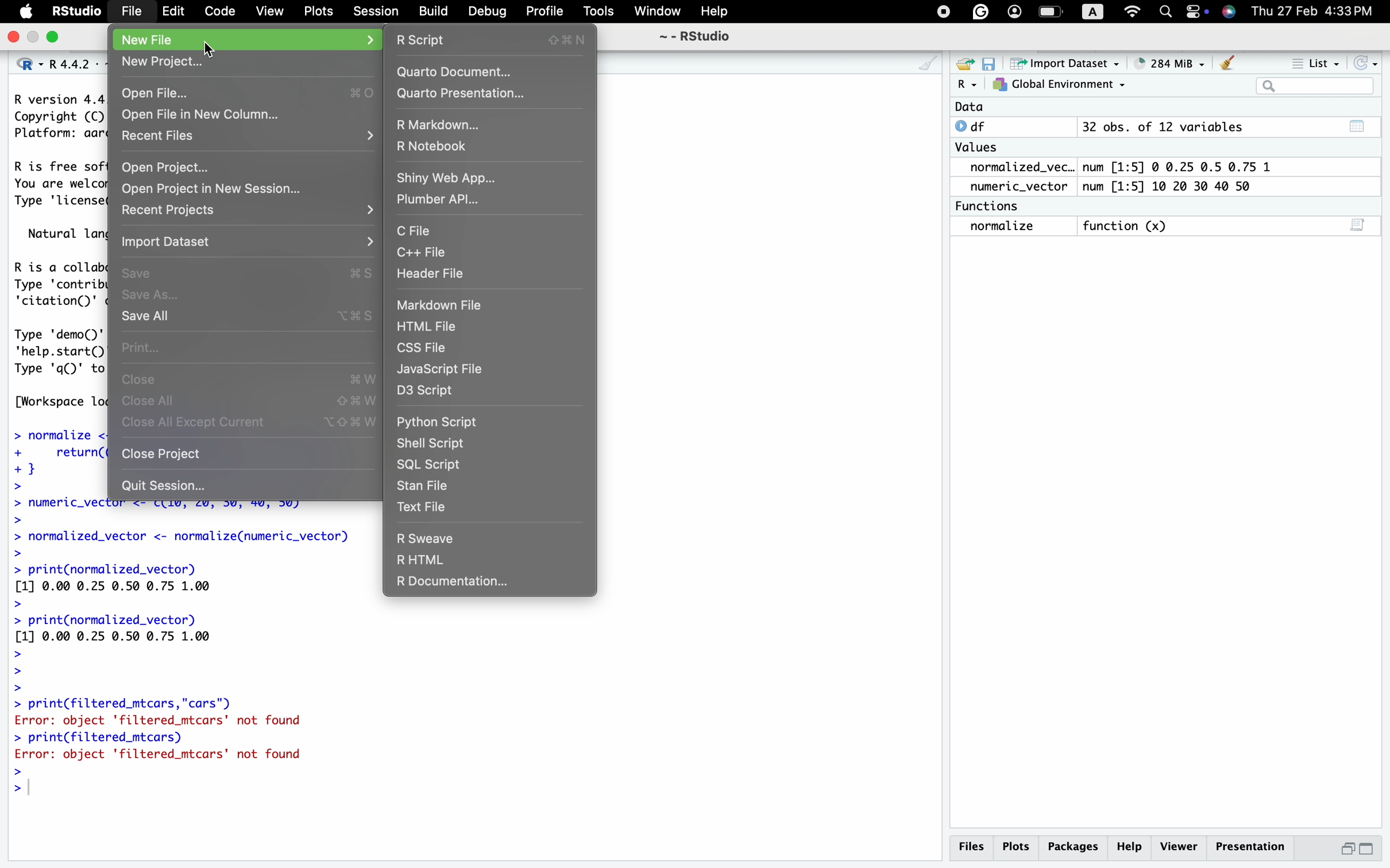 Image resolution: width=1390 pixels, height=868 pixels. What do you see at coordinates (435, 12) in the screenshot?
I see `Build` at bounding box center [435, 12].